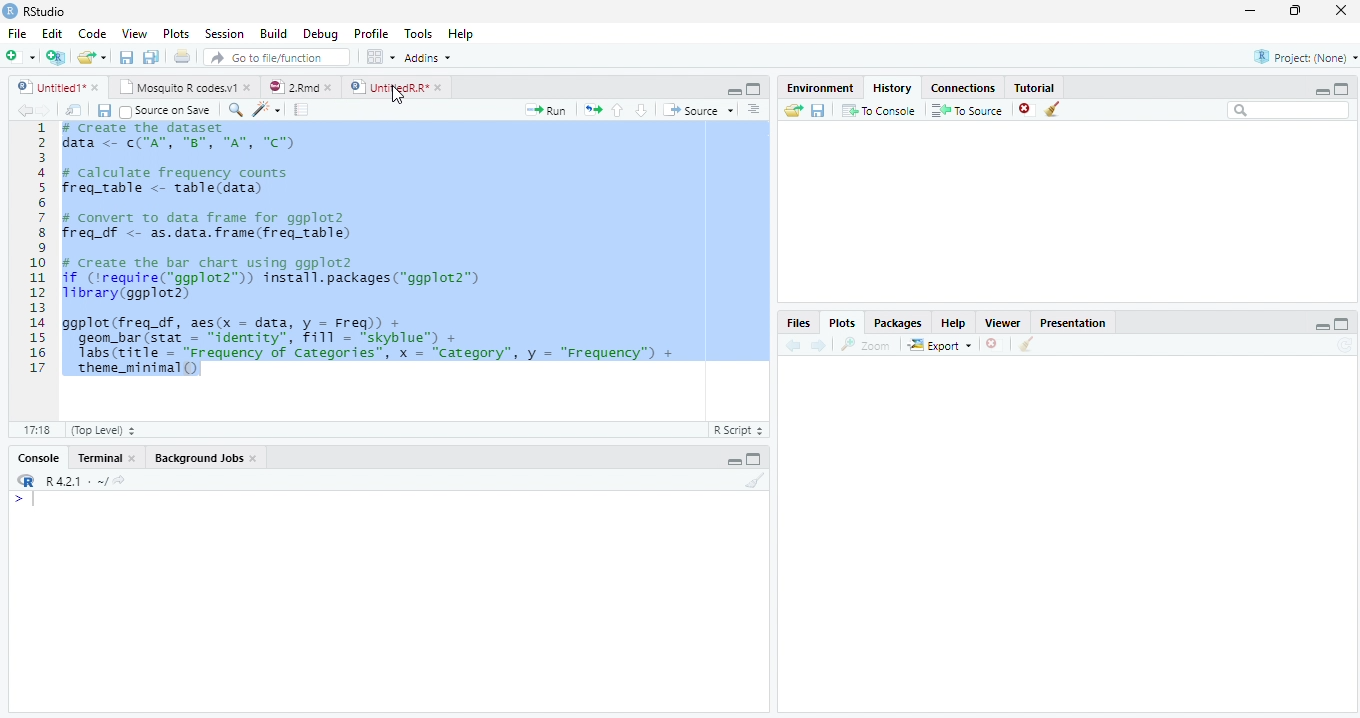  What do you see at coordinates (1297, 13) in the screenshot?
I see `Maximize` at bounding box center [1297, 13].